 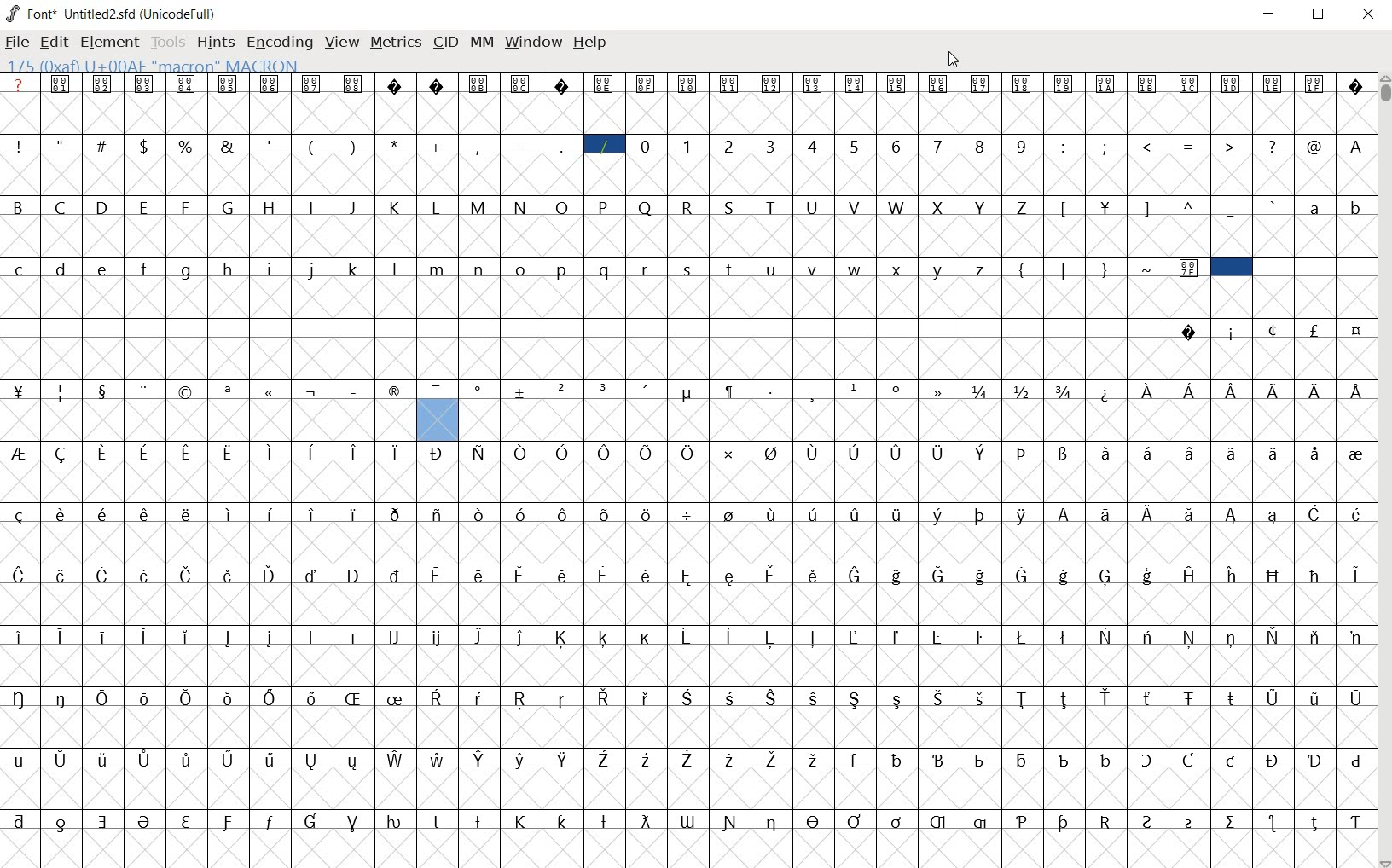 What do you see at coordinates (1024, 636) in the screenshot?
I see `Symbol` at bounding box center [1024, 636].